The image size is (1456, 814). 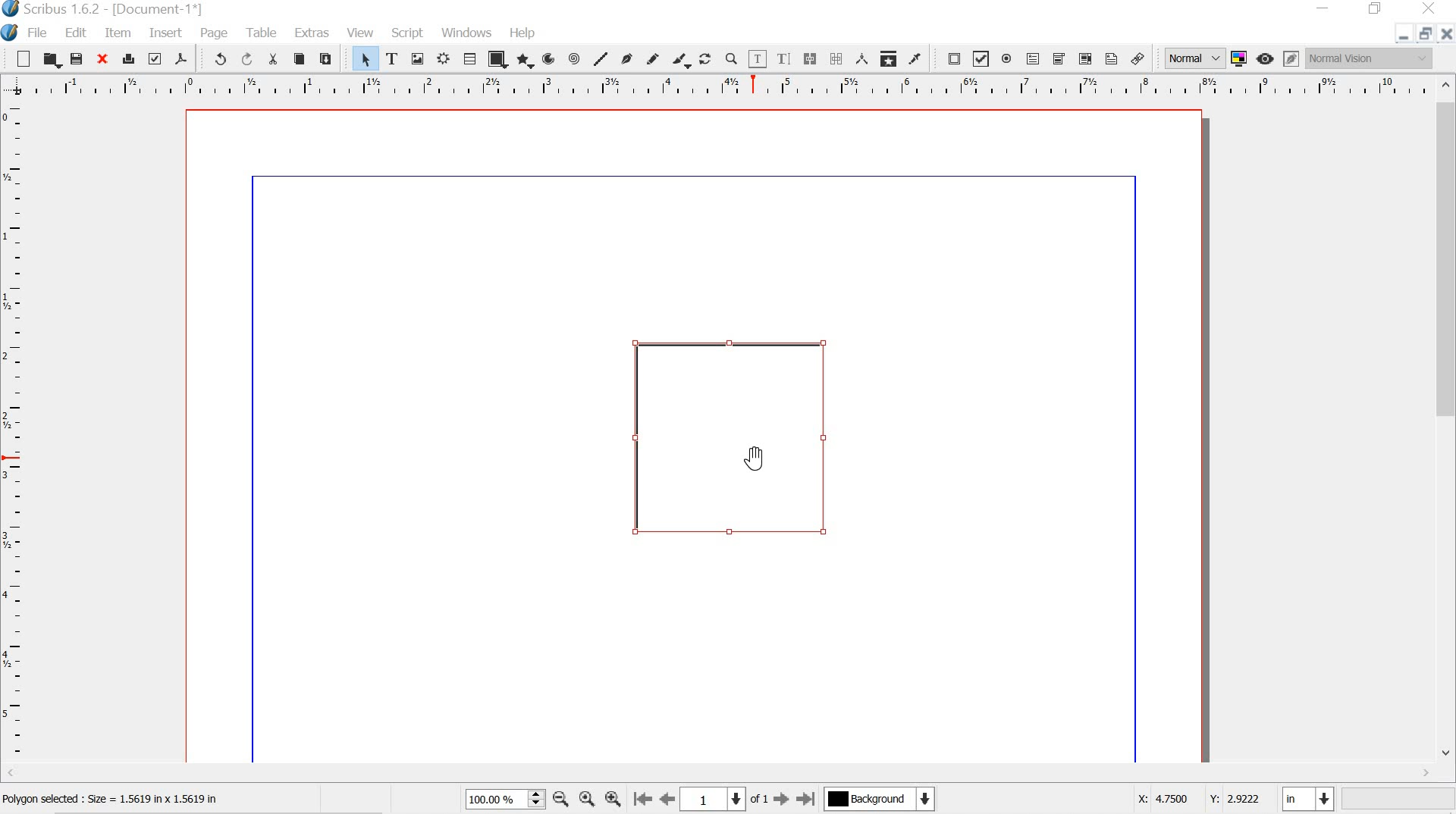 I want to click on help, so click(x=520, y=31).